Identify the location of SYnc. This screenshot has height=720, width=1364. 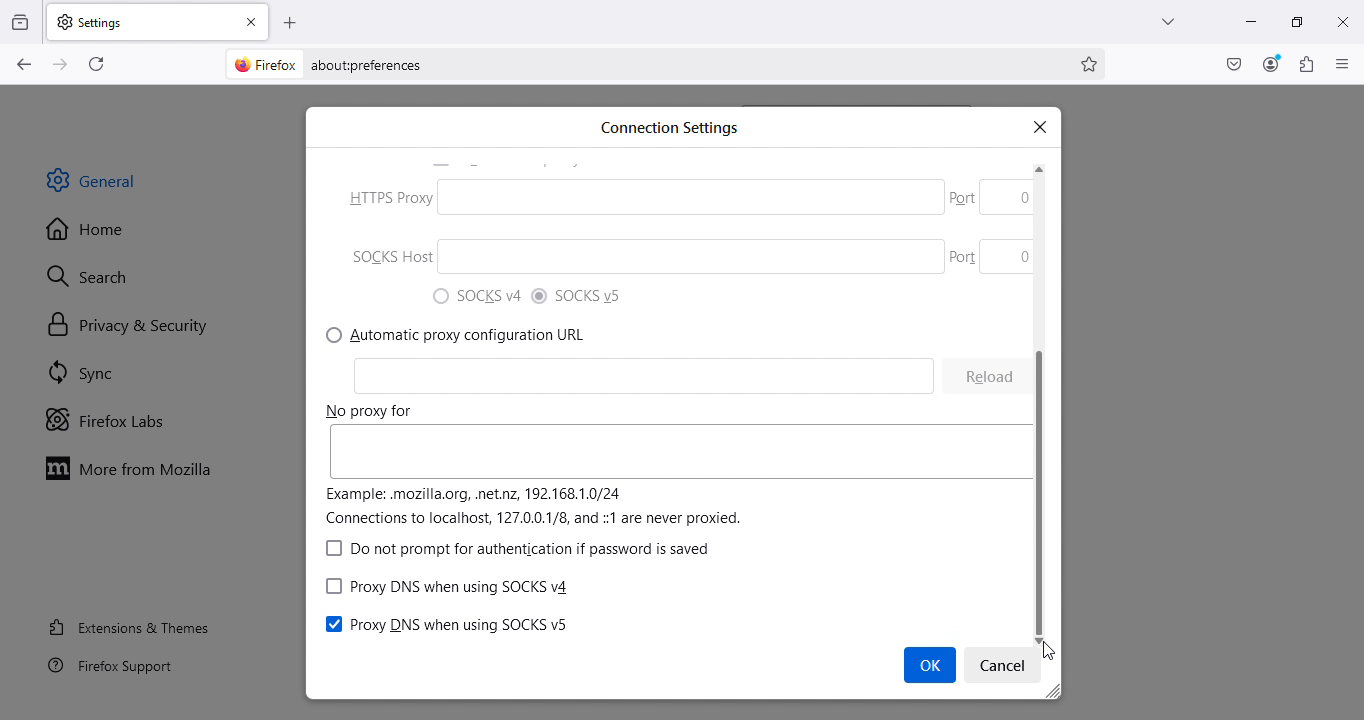
(89, 376).